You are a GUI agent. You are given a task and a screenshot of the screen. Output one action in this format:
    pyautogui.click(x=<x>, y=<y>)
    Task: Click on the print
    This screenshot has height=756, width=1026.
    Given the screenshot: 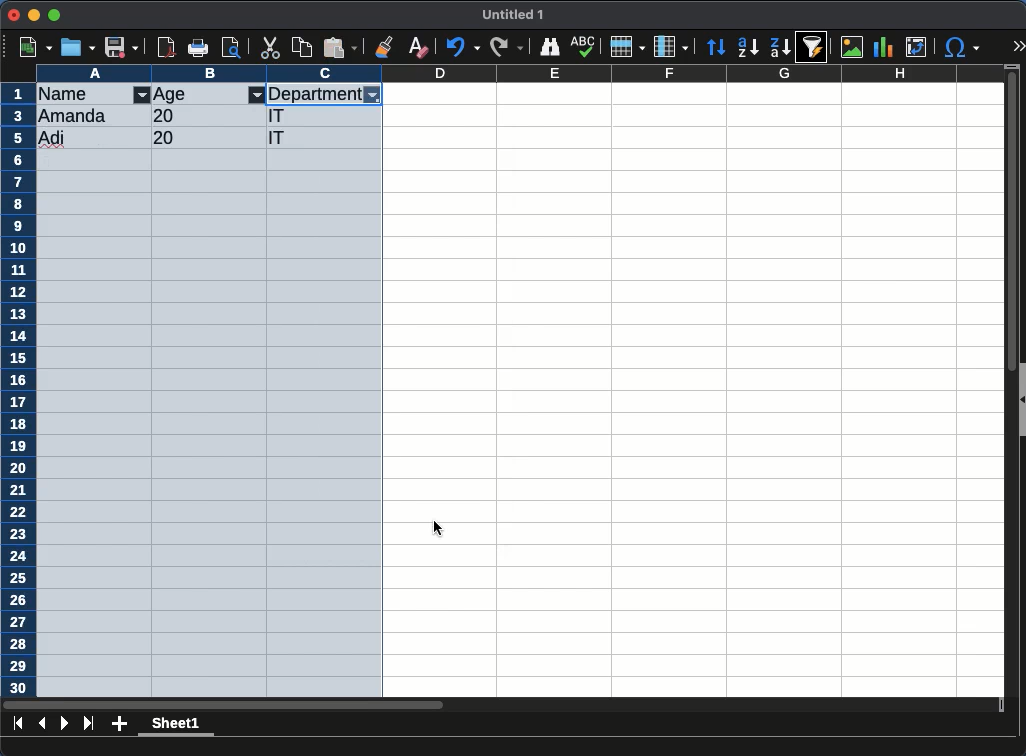 What is the action you would take?
    pyautogui.click(x=201, y=47)
    